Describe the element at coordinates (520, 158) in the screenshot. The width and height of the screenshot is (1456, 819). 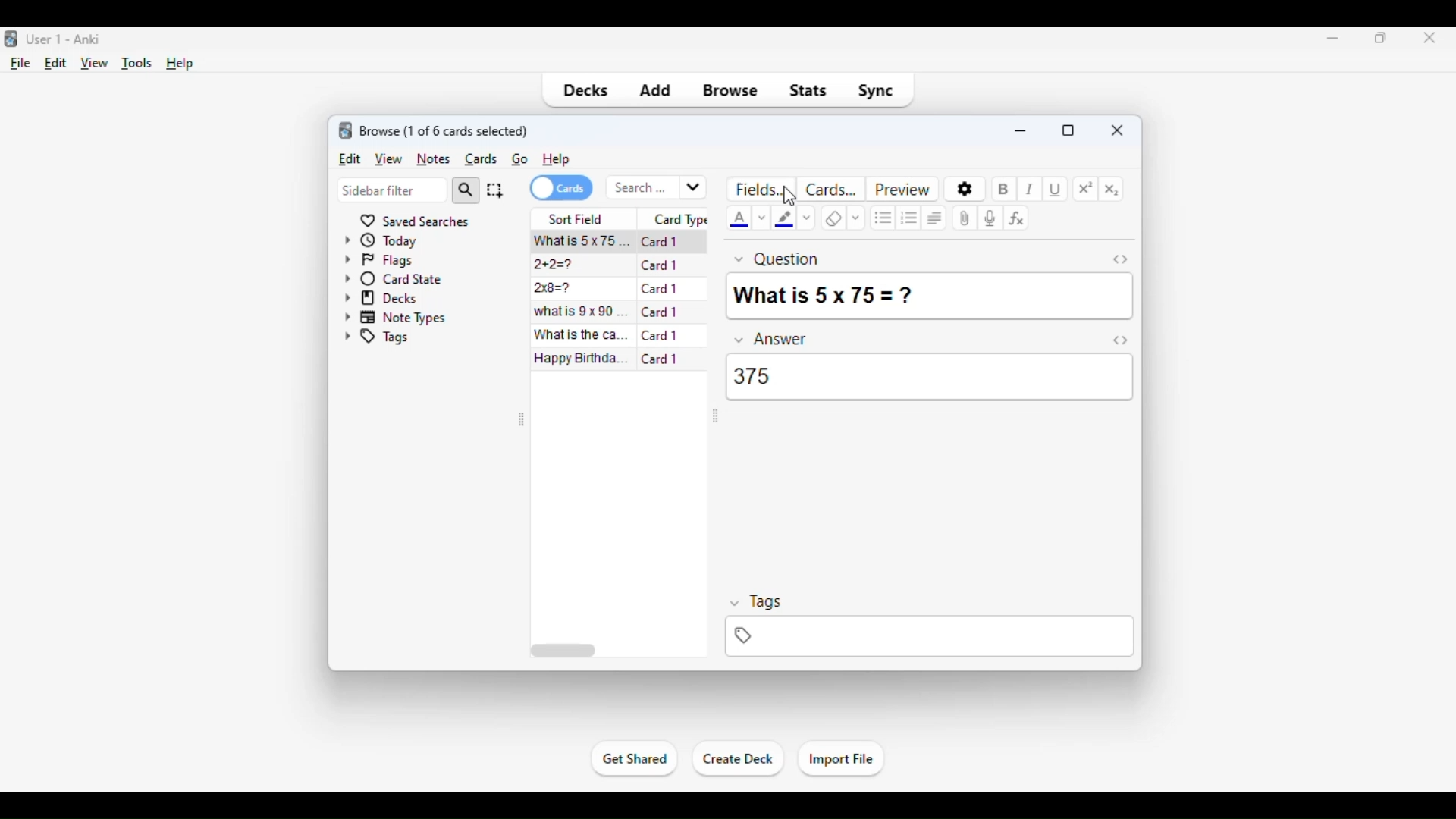
I see `go` at that location.